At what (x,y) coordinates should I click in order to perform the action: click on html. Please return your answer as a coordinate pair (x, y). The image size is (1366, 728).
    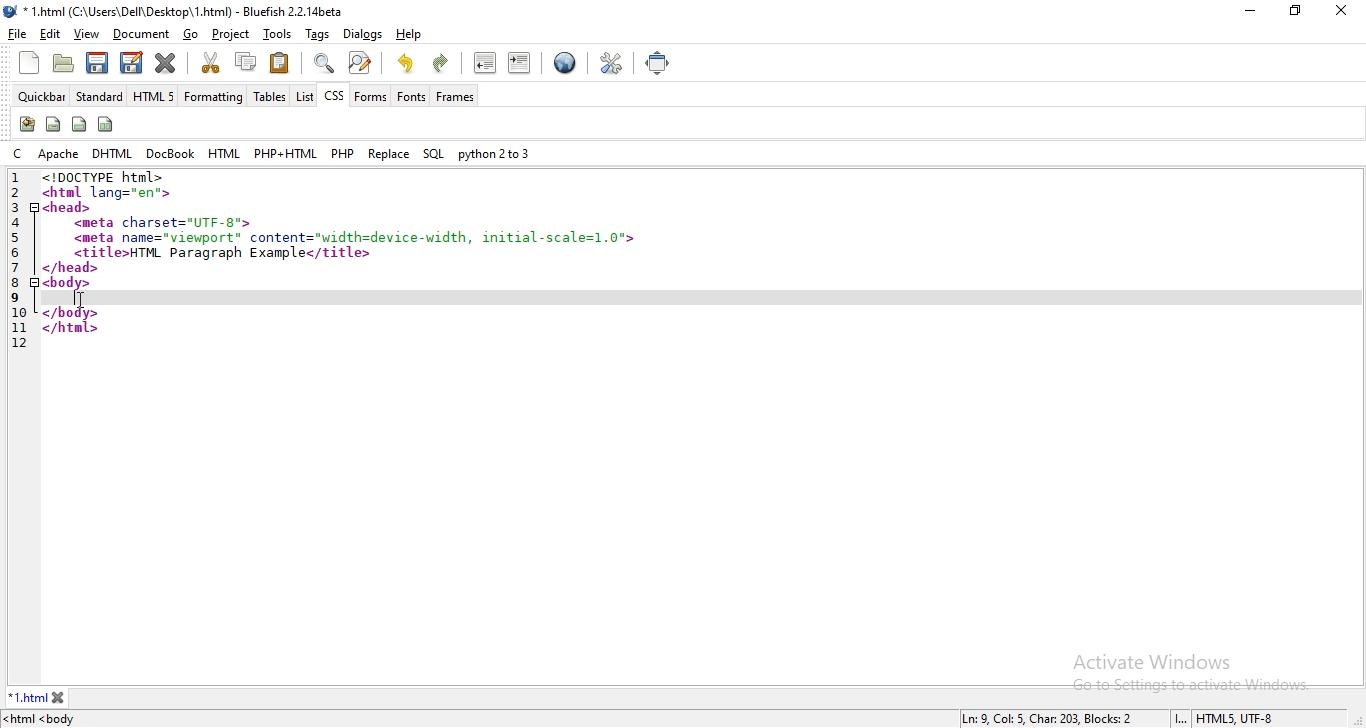
    Looking at the image, I should click on (223, 153).